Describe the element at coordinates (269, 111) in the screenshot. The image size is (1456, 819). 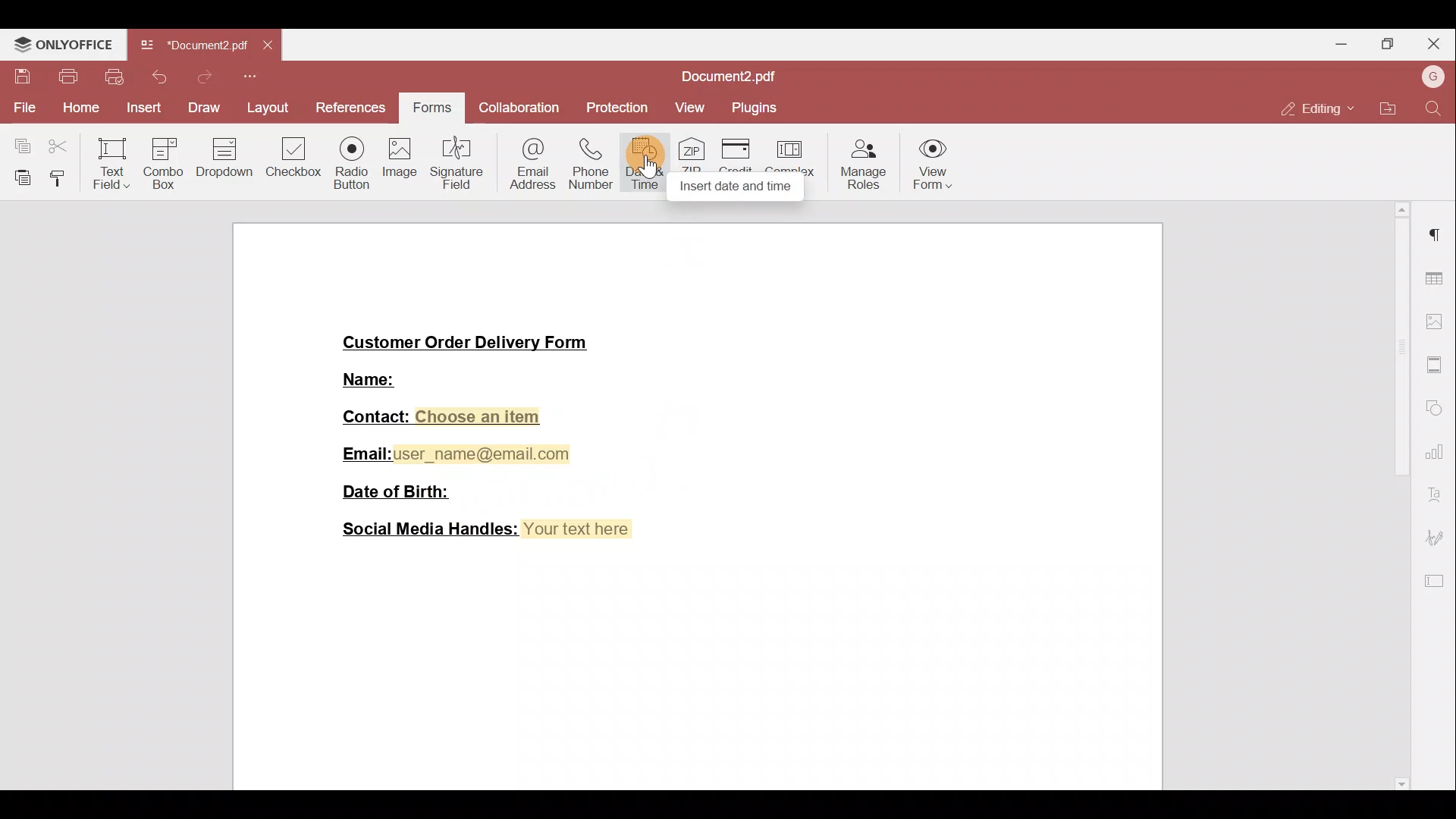
I see `Layout` at that location.